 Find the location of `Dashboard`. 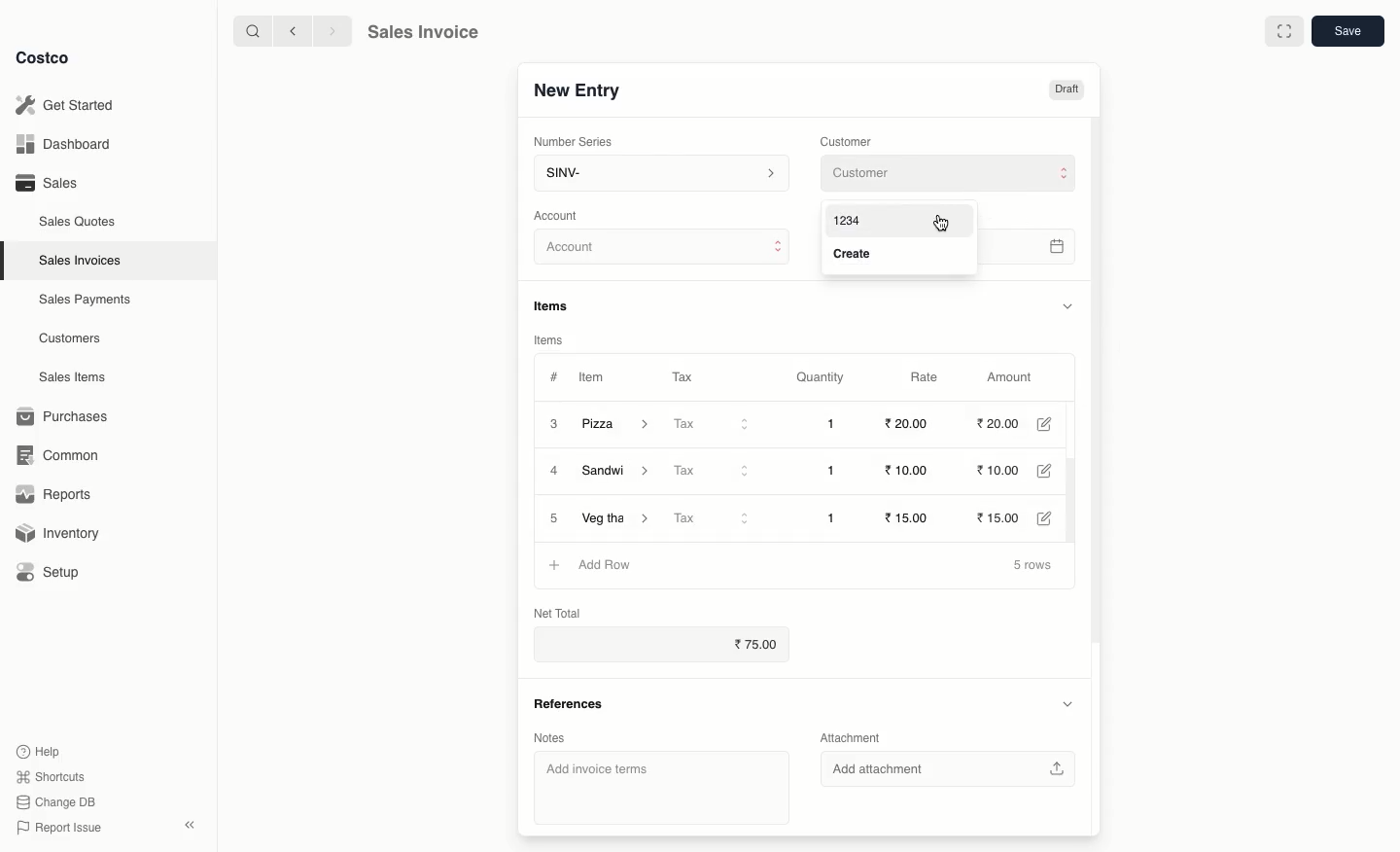

Dashboard is located at coordinates (60, 145).